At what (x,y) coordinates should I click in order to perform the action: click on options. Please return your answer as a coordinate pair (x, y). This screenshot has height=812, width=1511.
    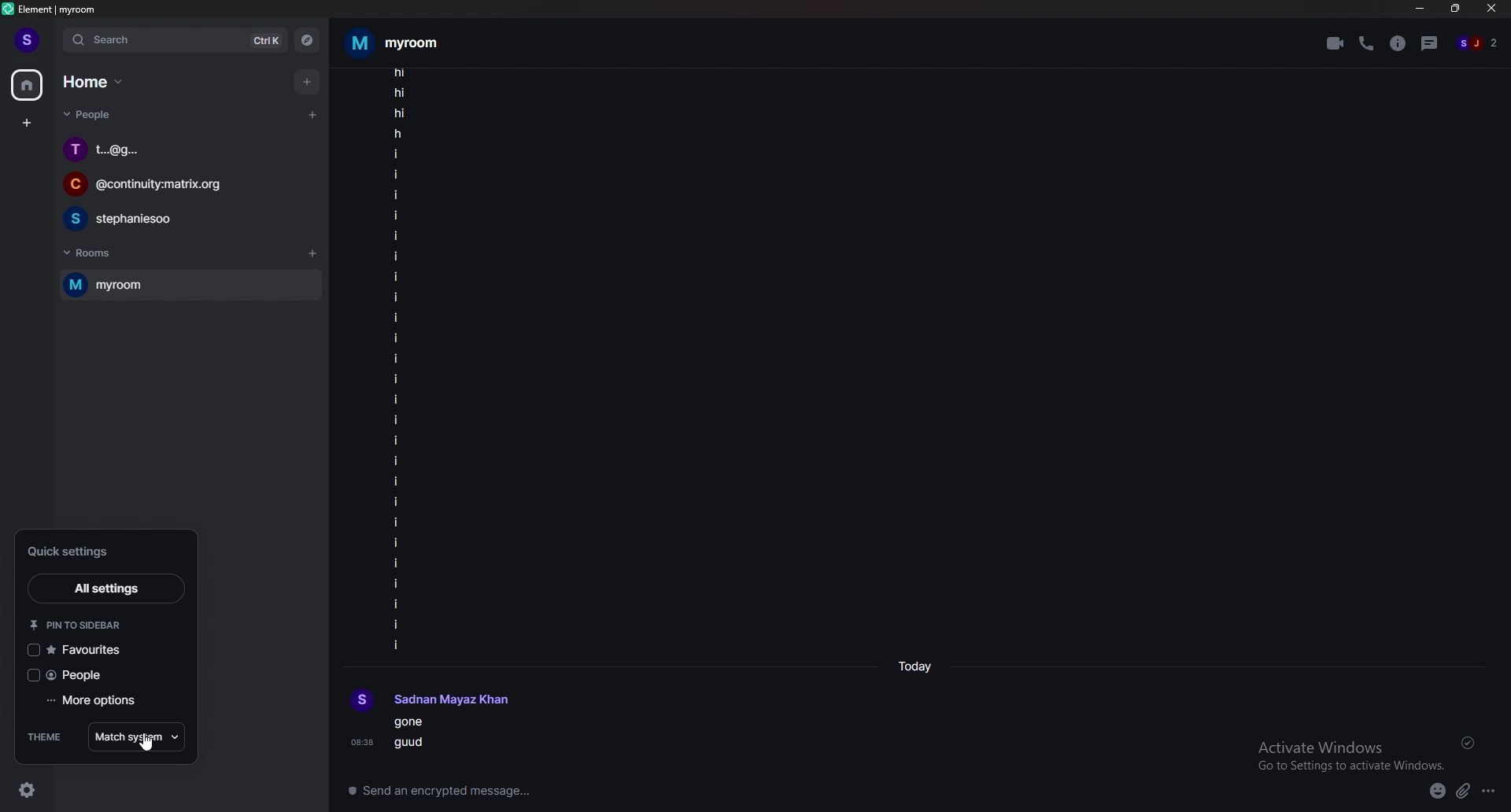
    Looking at the image, I should click on (1491, 791).